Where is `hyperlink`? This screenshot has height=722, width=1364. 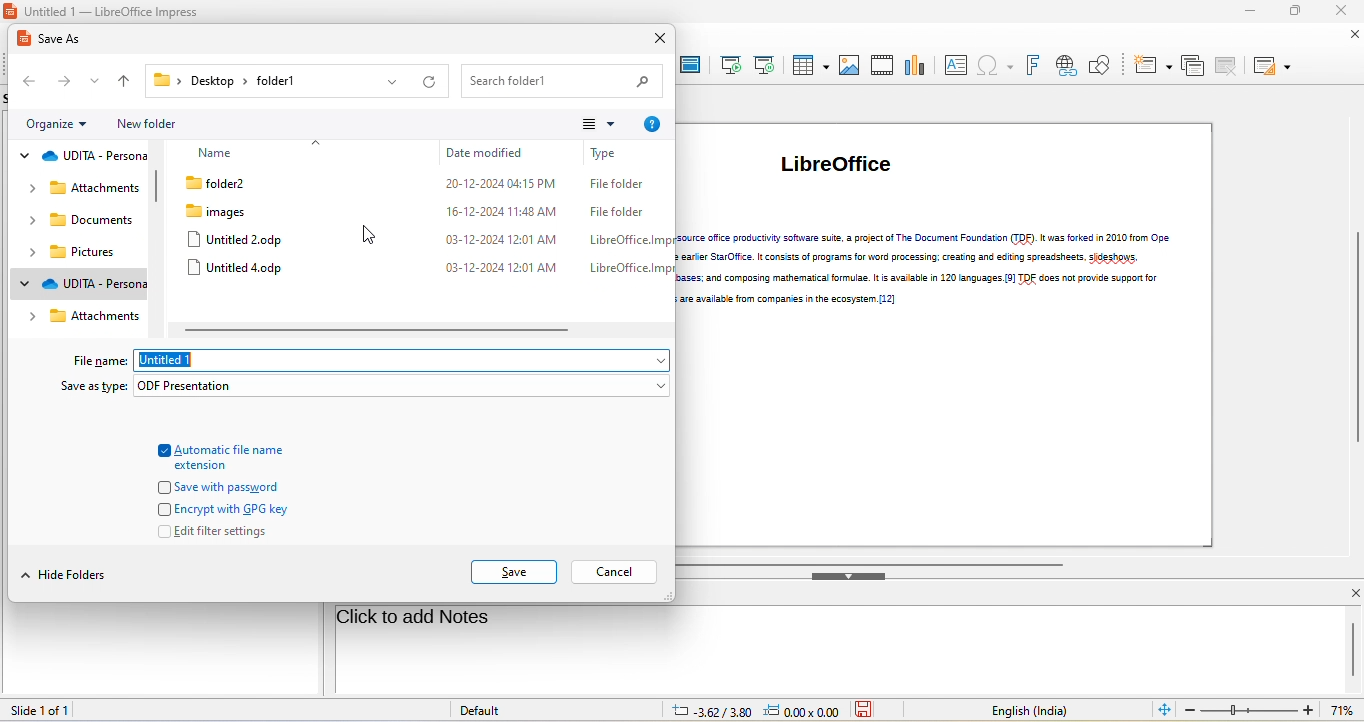 hyperlink is located at coordinates (1067, 67).